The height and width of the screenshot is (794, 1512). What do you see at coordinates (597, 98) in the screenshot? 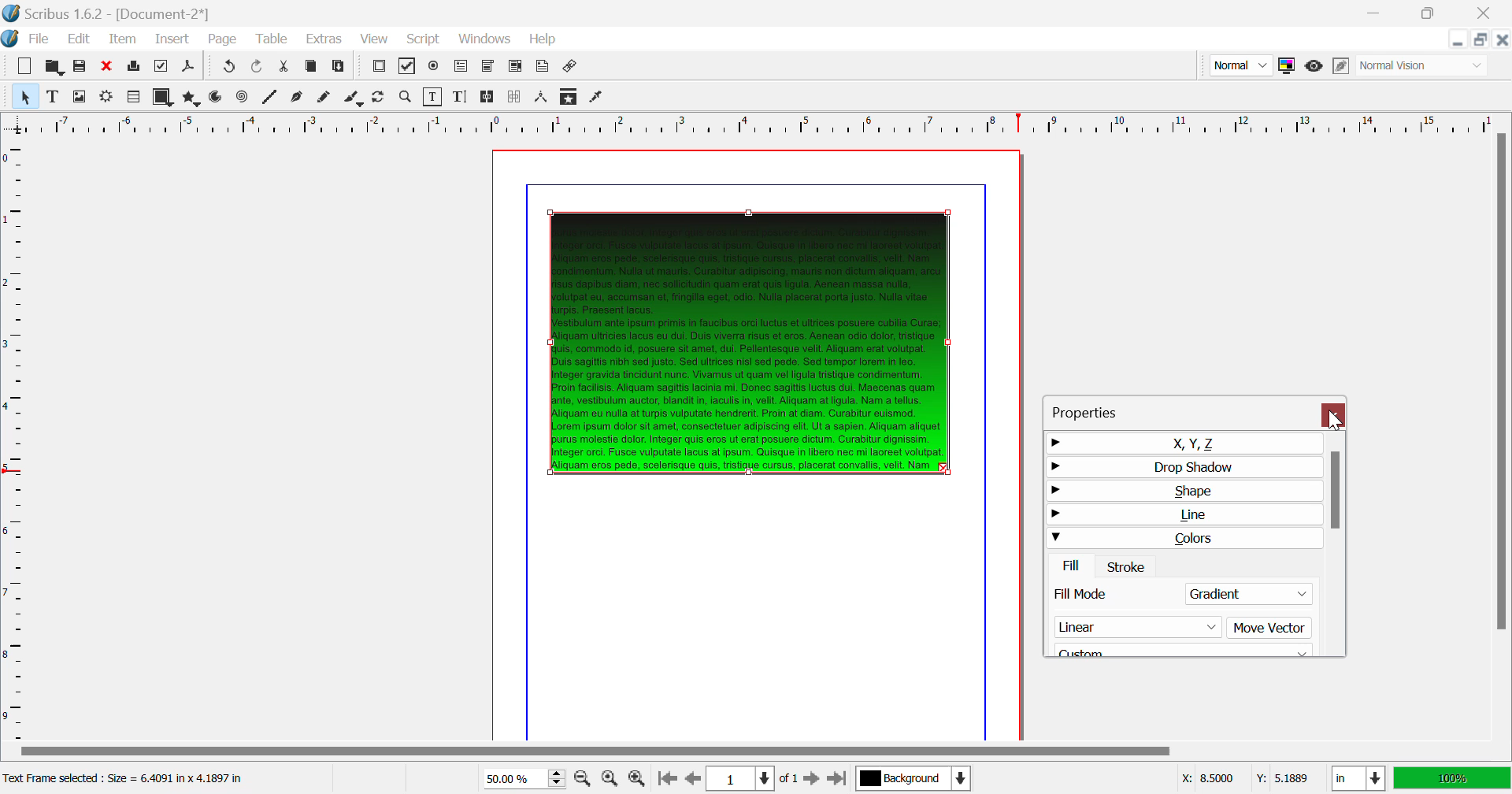
I see `Eyedropper` at bounding box center [597, 98].